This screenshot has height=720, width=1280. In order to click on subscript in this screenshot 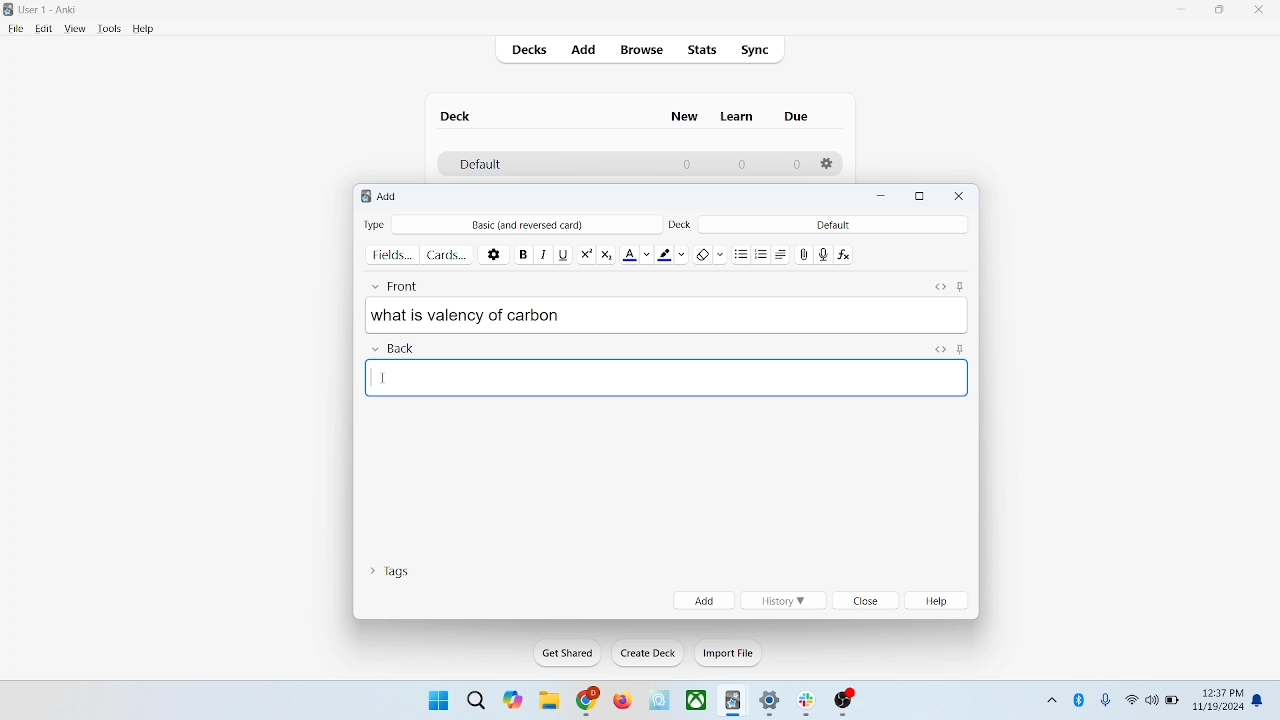, I will do `click(606, 252)`.